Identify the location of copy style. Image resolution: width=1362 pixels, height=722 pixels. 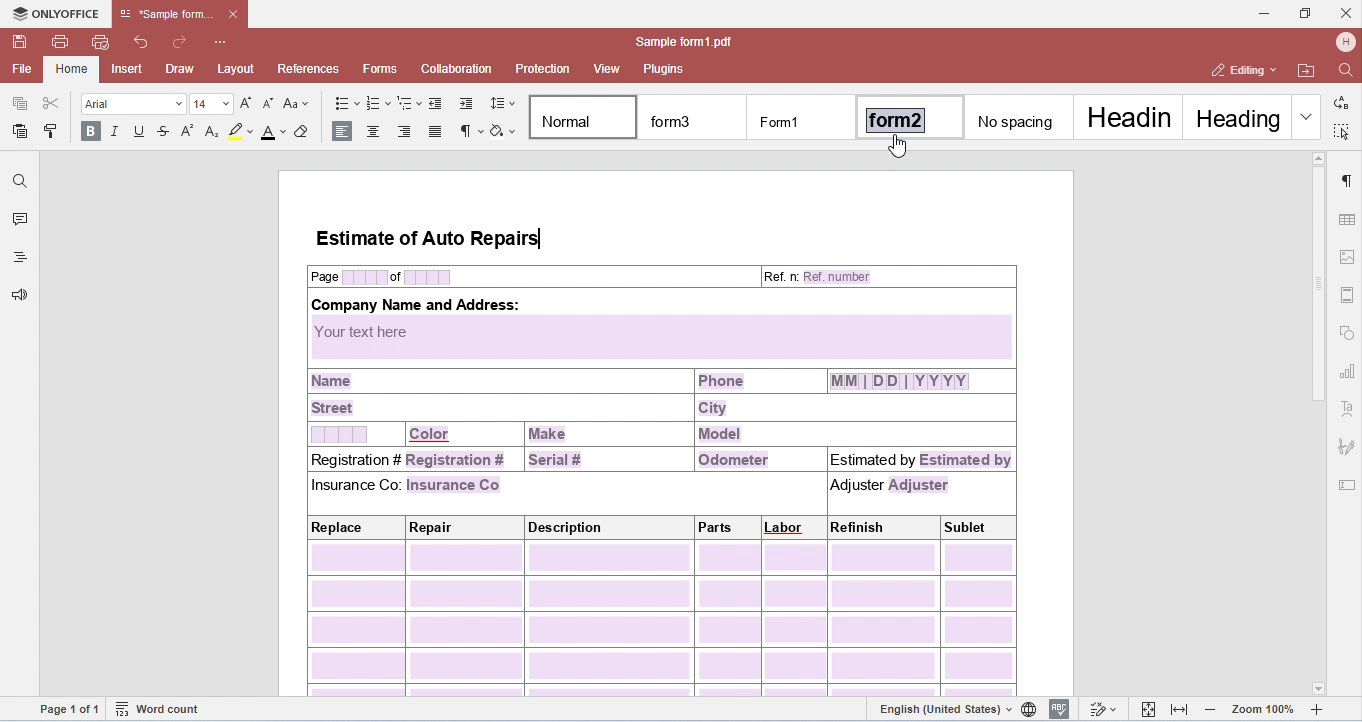
(54, 129).